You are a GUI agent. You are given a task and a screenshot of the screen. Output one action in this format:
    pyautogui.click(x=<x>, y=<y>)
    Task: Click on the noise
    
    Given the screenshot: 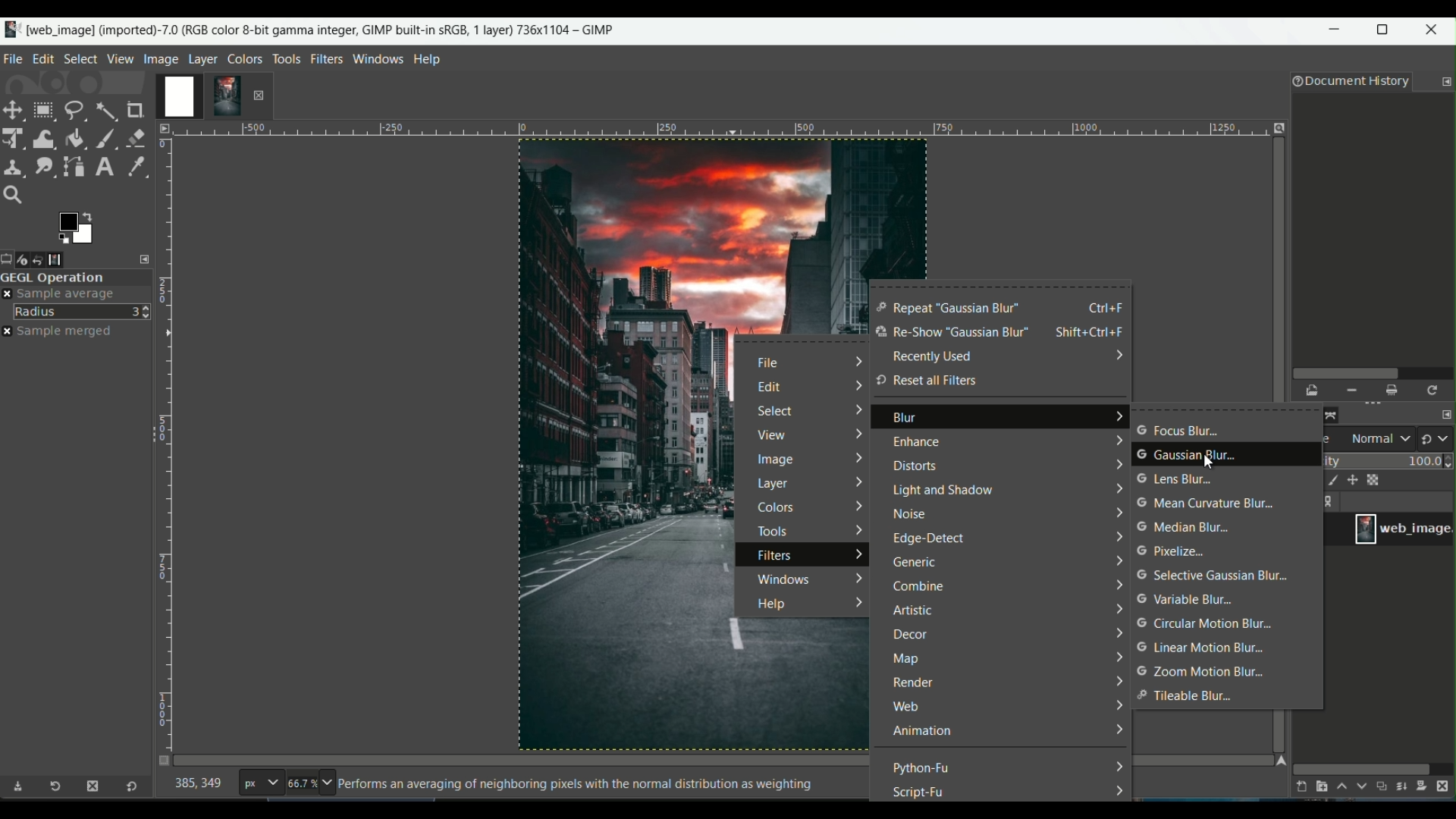 What is the action you would take?
    pyautogui.click(x=911, y=516)
    